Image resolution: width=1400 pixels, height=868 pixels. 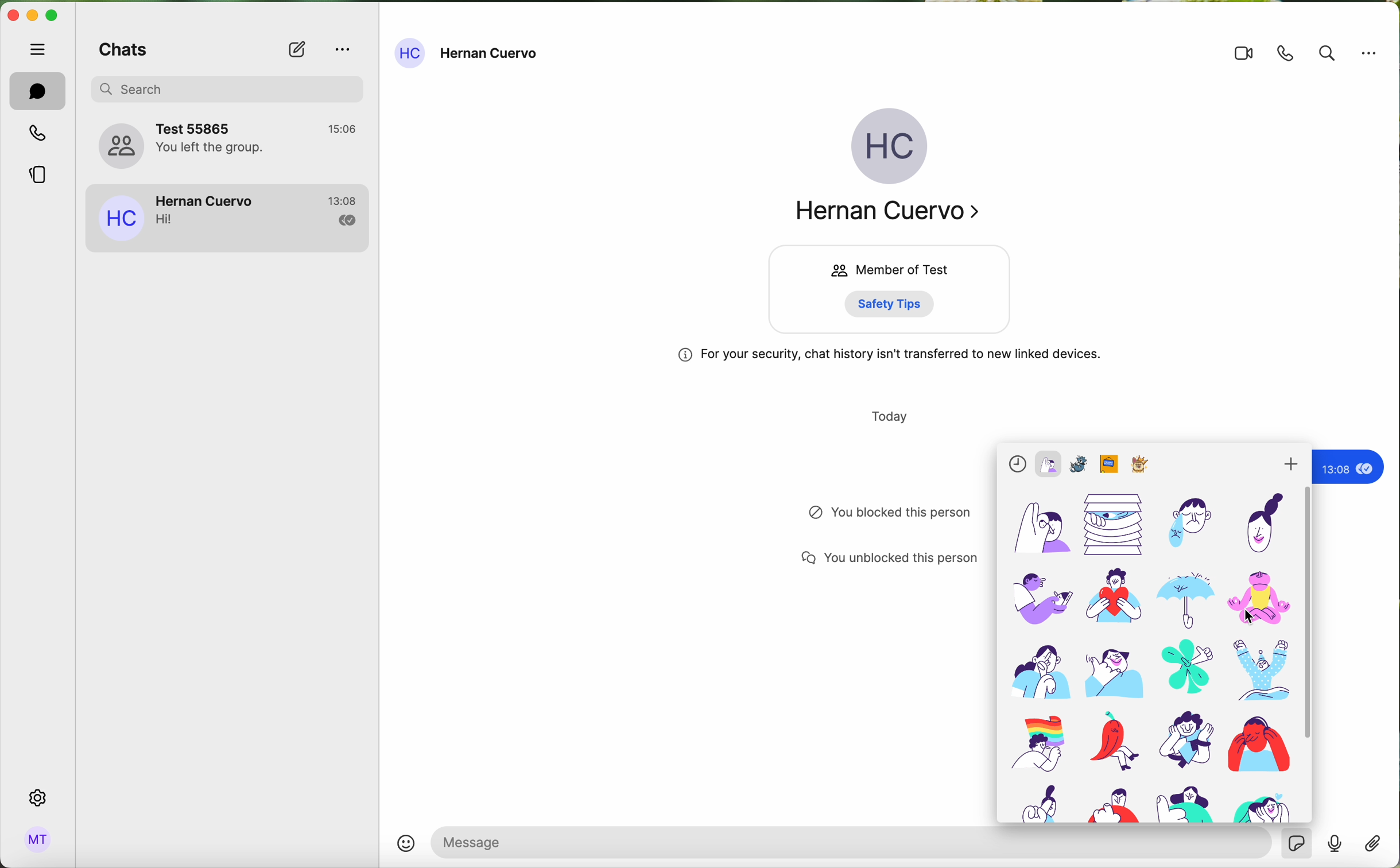 I want to click on name of contact, so click(x=469, y=53).